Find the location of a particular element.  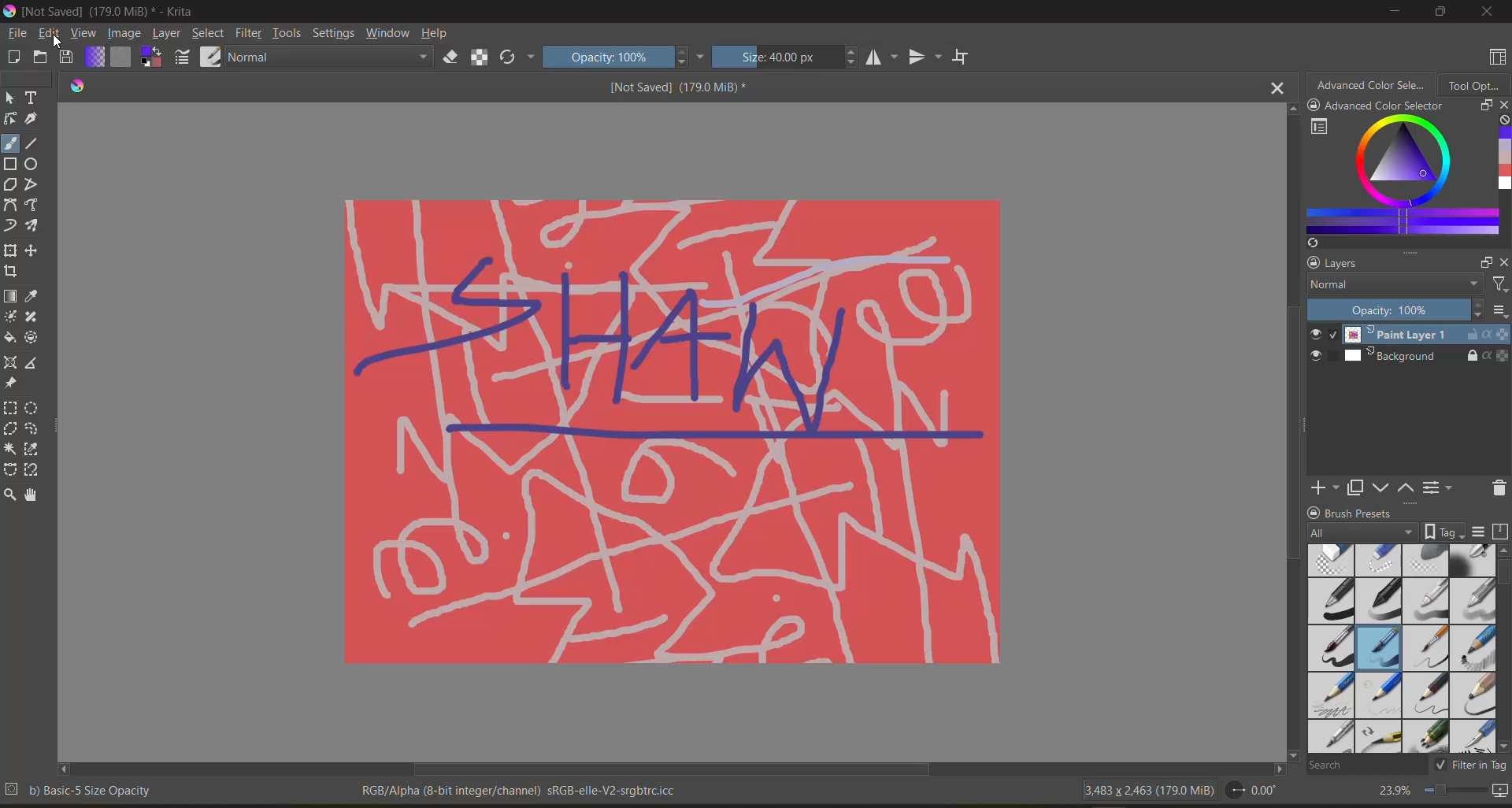

edit shapes tool is located at coordinates (10, 119).